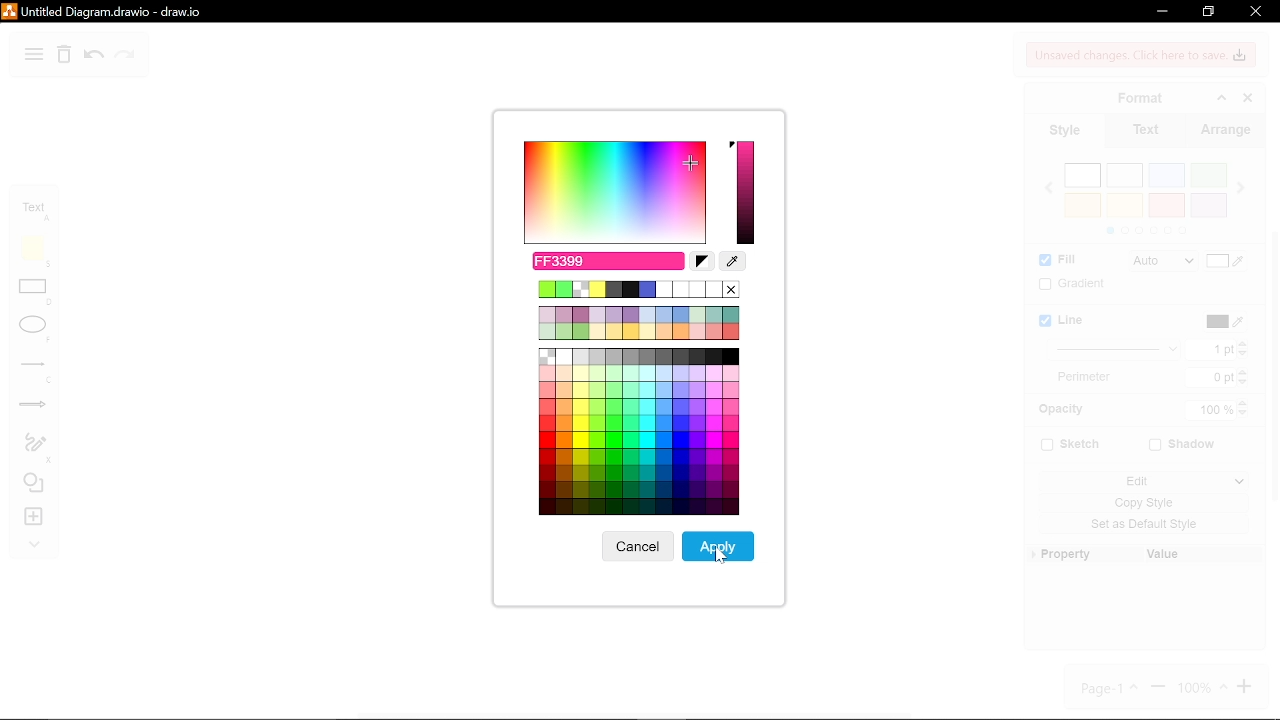  I want to click on selected color spectrum, so click(746, 193).